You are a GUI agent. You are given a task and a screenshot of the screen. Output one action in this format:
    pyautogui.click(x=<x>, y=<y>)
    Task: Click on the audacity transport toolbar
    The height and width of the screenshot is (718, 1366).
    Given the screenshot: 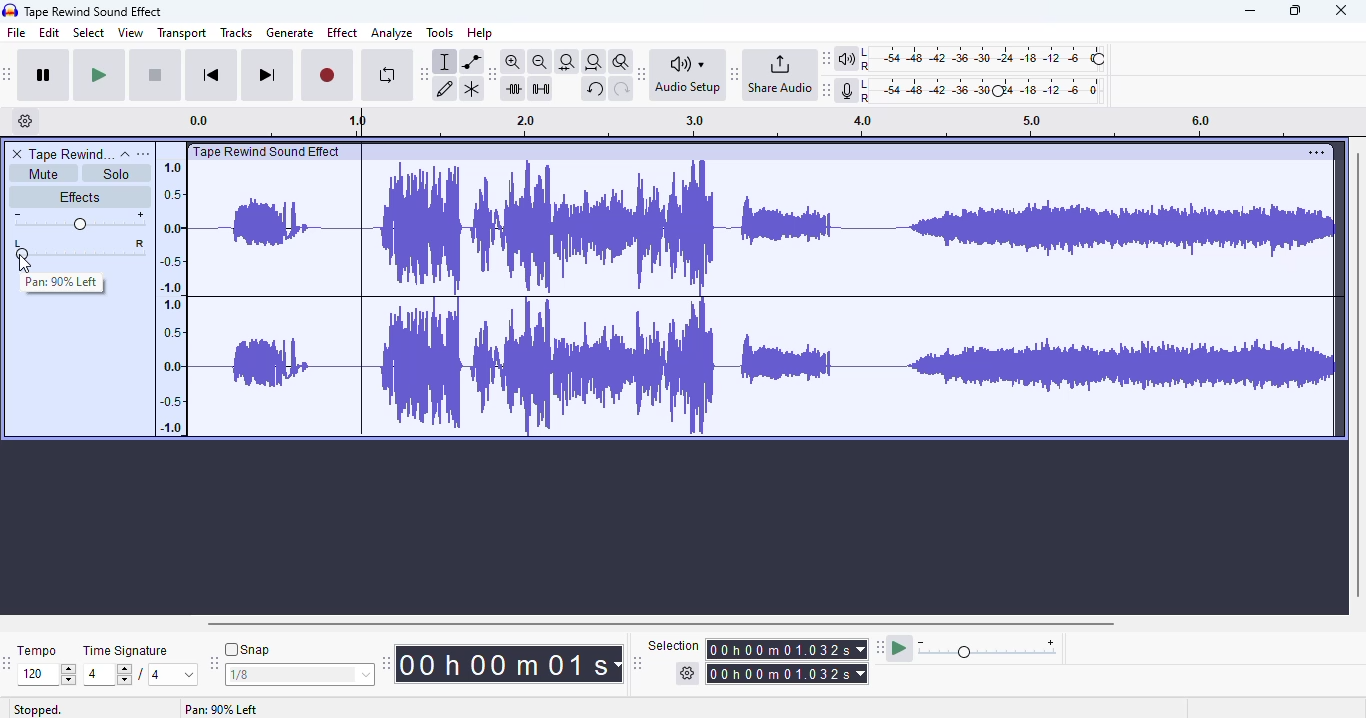 What is the action you would take?
    pyautogui.click(x=7, y=73)
    